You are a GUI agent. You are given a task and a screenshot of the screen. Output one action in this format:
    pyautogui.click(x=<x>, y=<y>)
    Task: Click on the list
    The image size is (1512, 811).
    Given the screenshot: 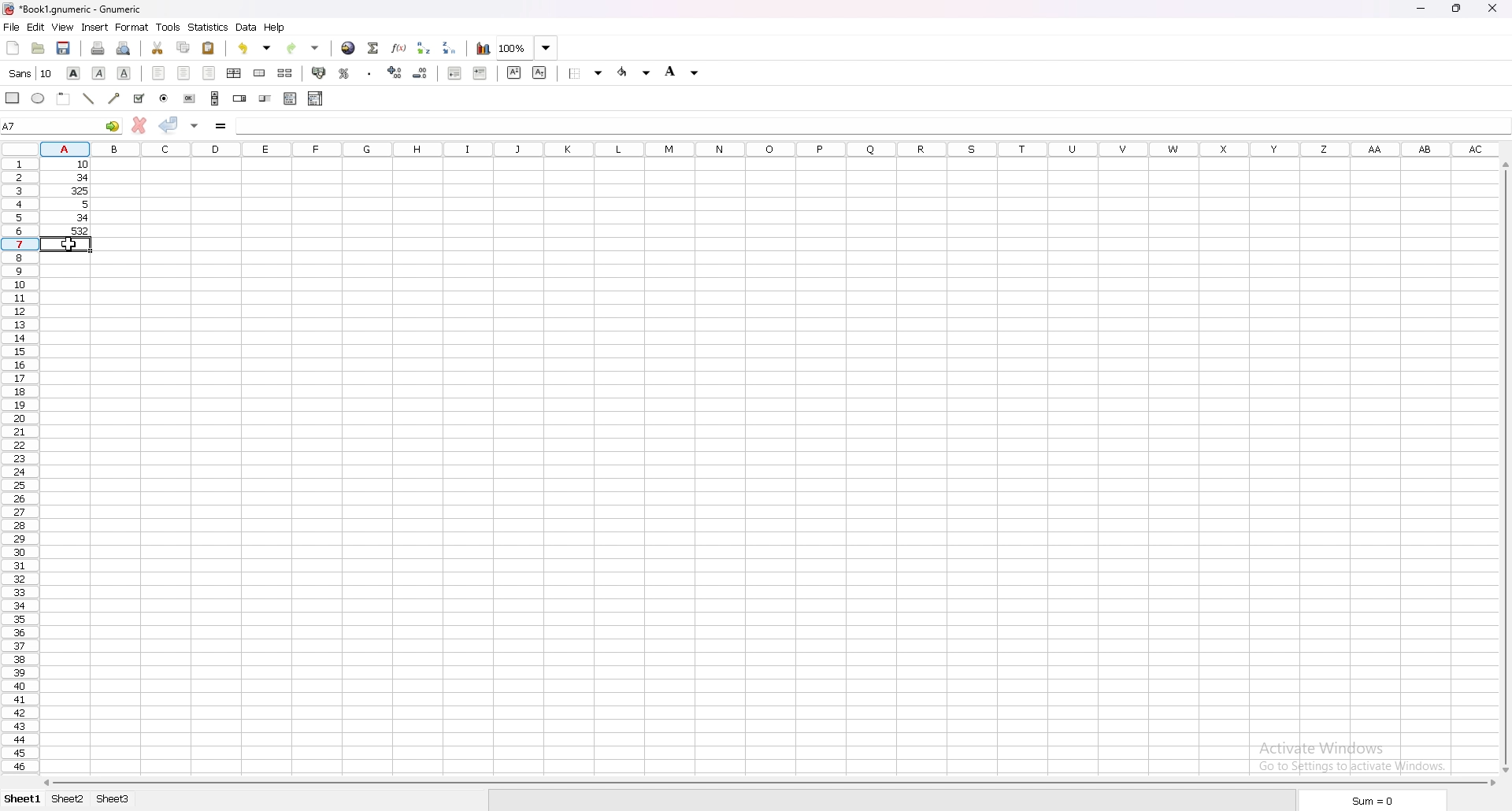 What is the action you would take?
    pyautogui.click(x=291, y=98)
    